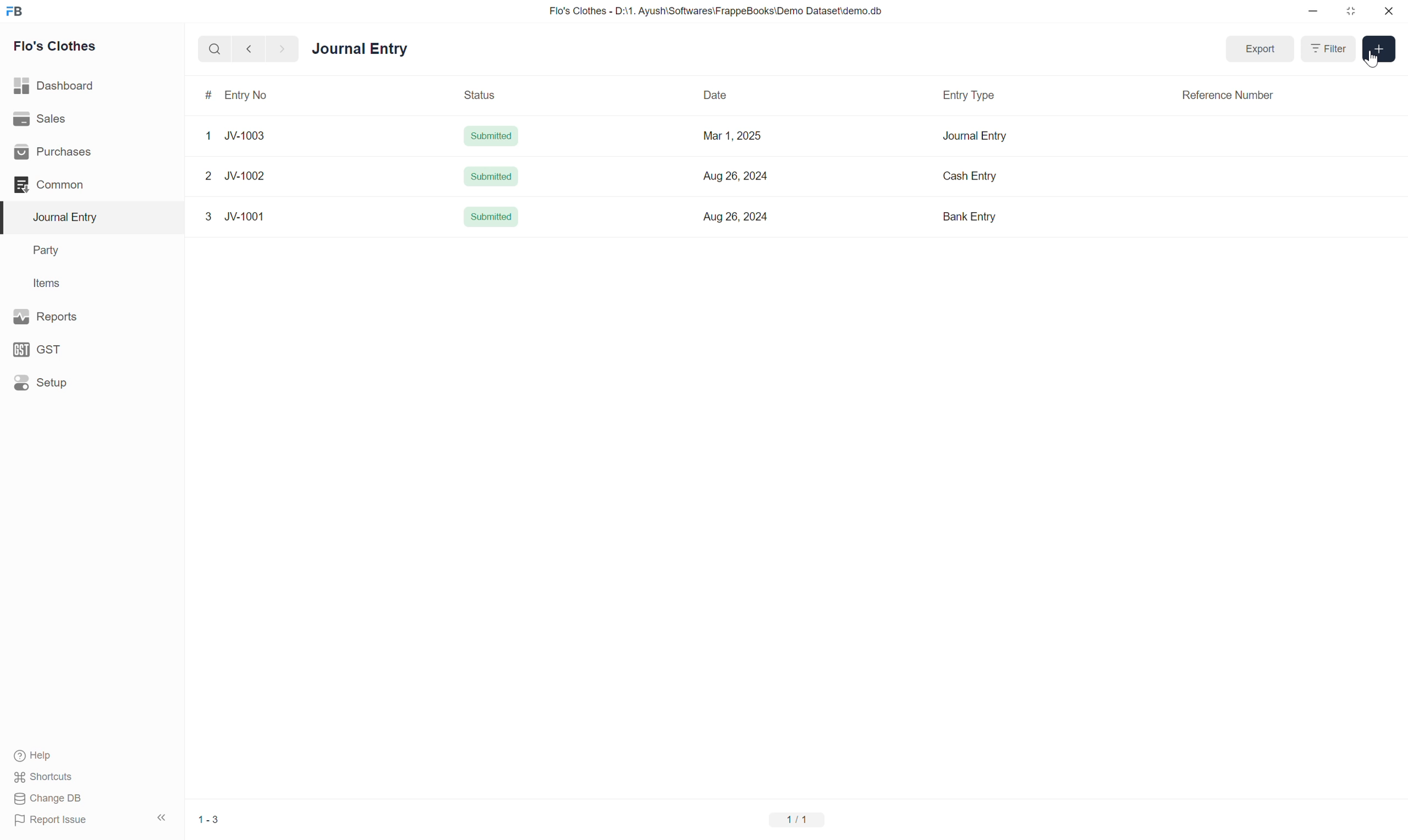  Describe the element at coordinates (713, 95) in the screenshot. I see `Date` at that location.